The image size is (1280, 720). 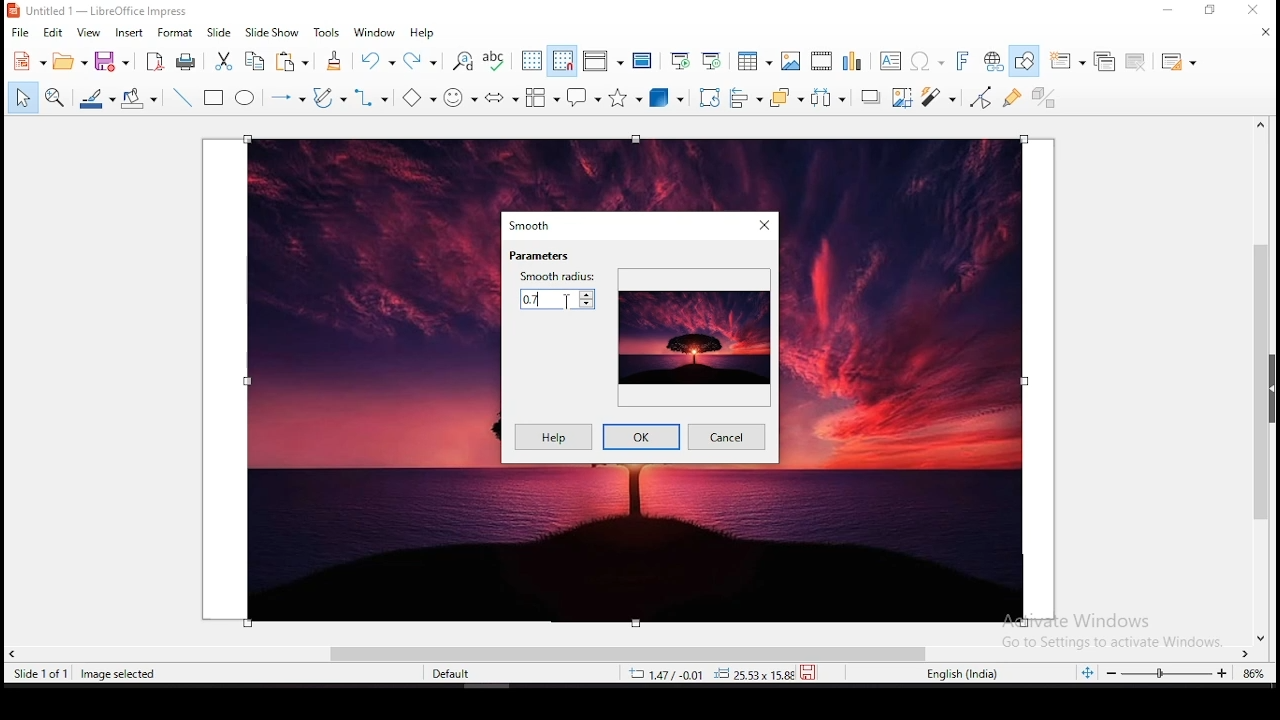 What do you see at coordinates (925, 61) in the screenshot?
I see `insert special characters` at bounding box center [925, 61].